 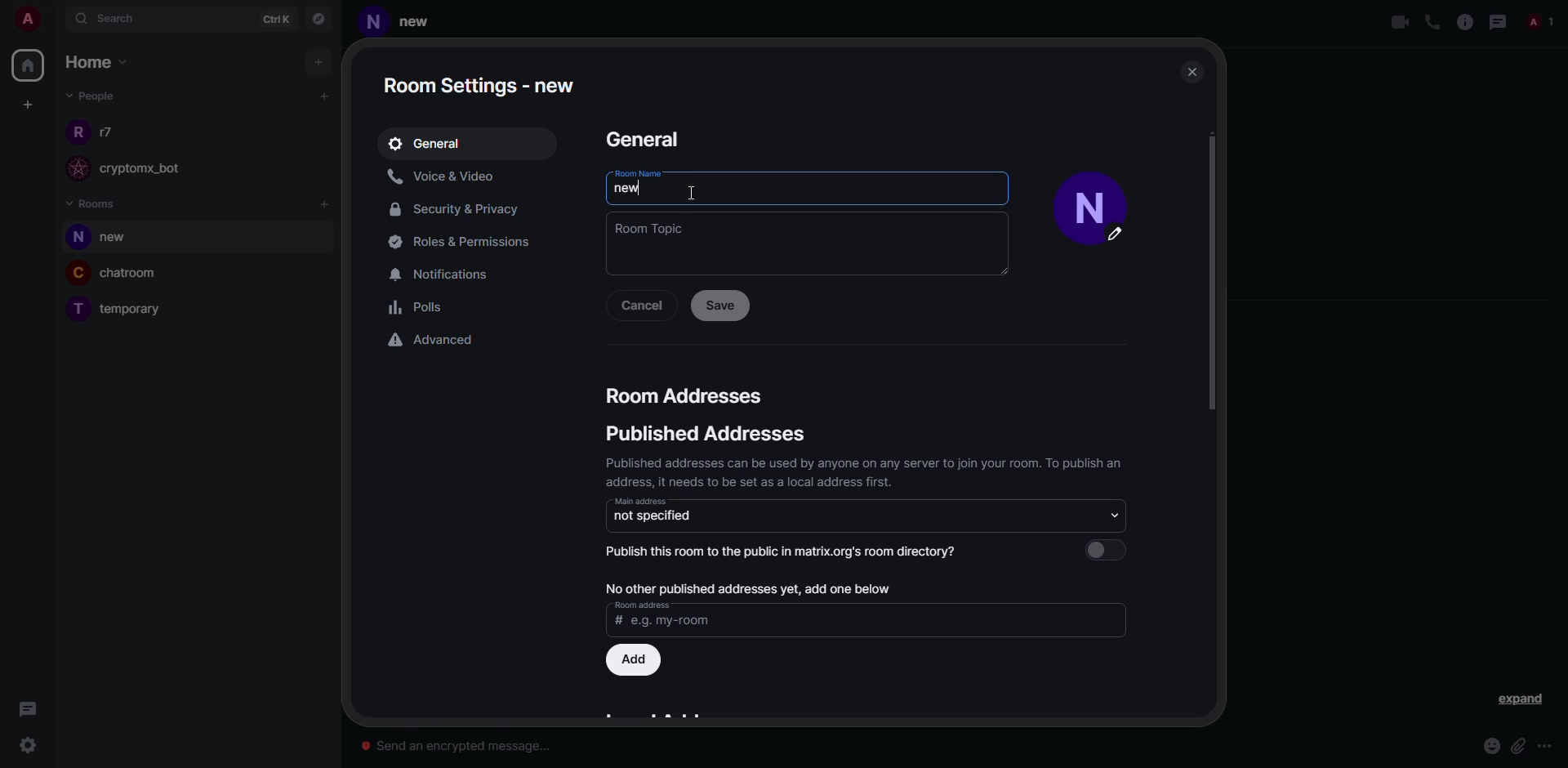 I want to click on navigator, so click(x=320, y=19).